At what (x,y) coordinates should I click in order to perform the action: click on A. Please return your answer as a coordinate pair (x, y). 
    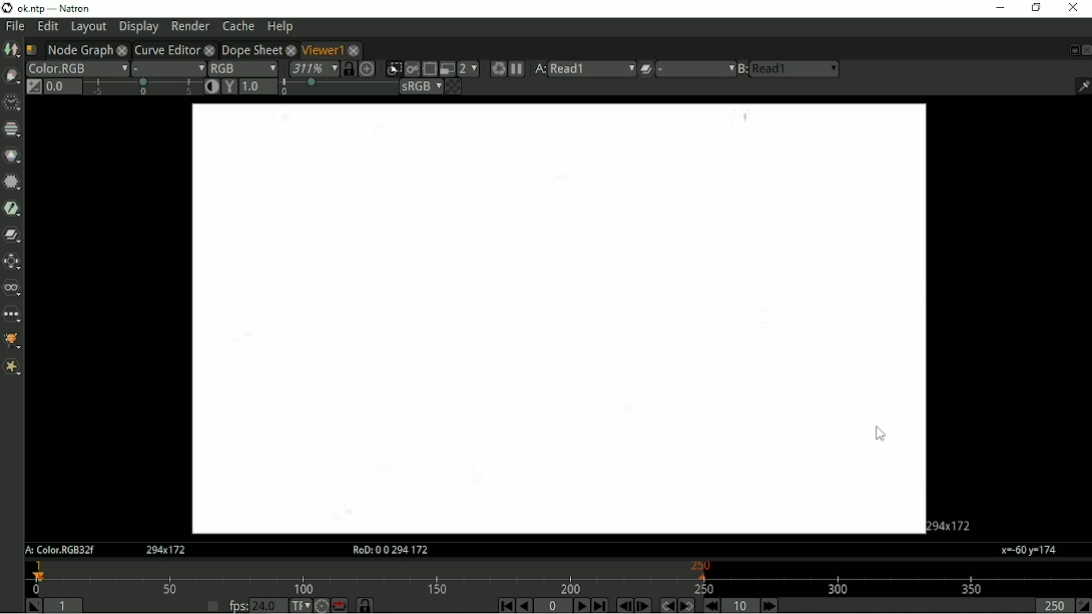
    Looking at the image, I should click on (59, 550).